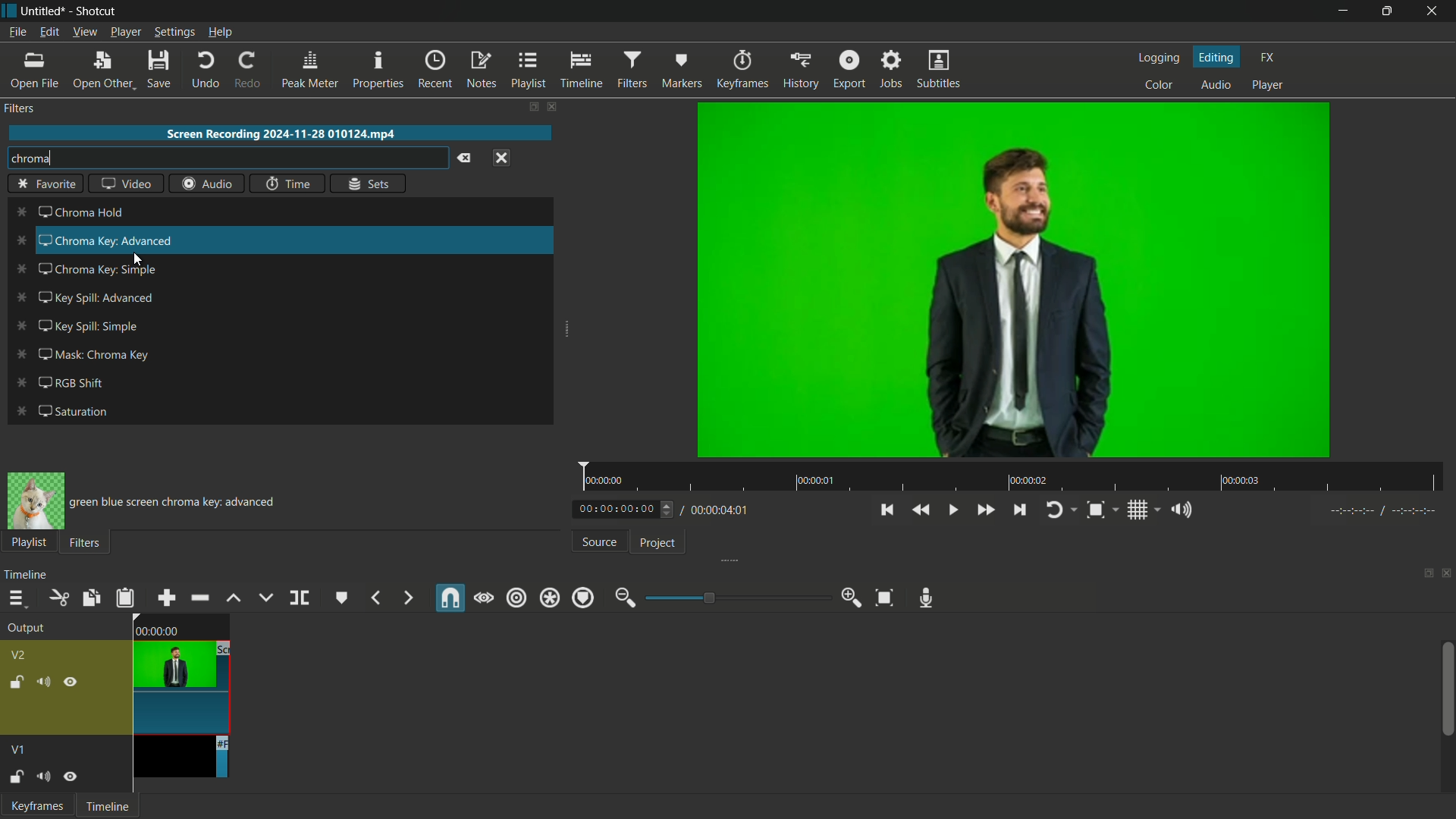 Image resolution: width=1456 pixels, height=819 pixels. I want to click on lock, so click(15, 682).